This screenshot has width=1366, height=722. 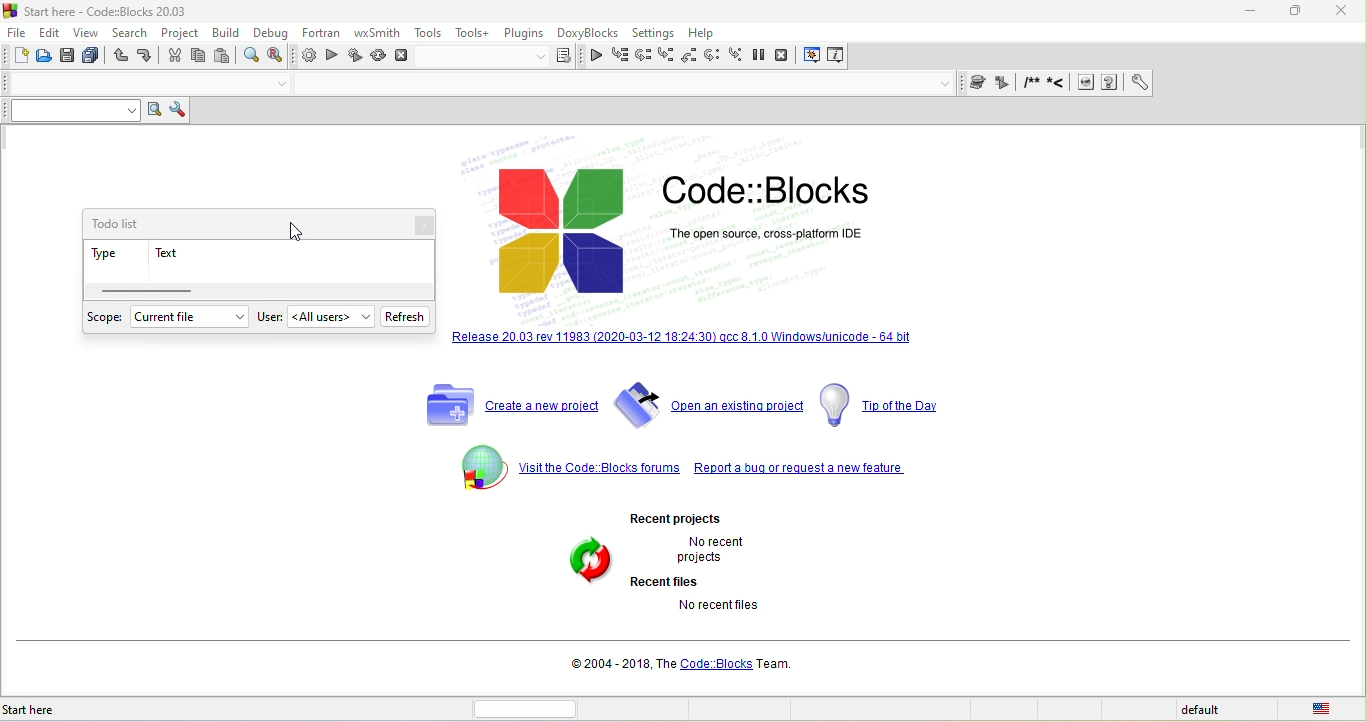 I want to click on line comment, so click(x=1060, y=84).